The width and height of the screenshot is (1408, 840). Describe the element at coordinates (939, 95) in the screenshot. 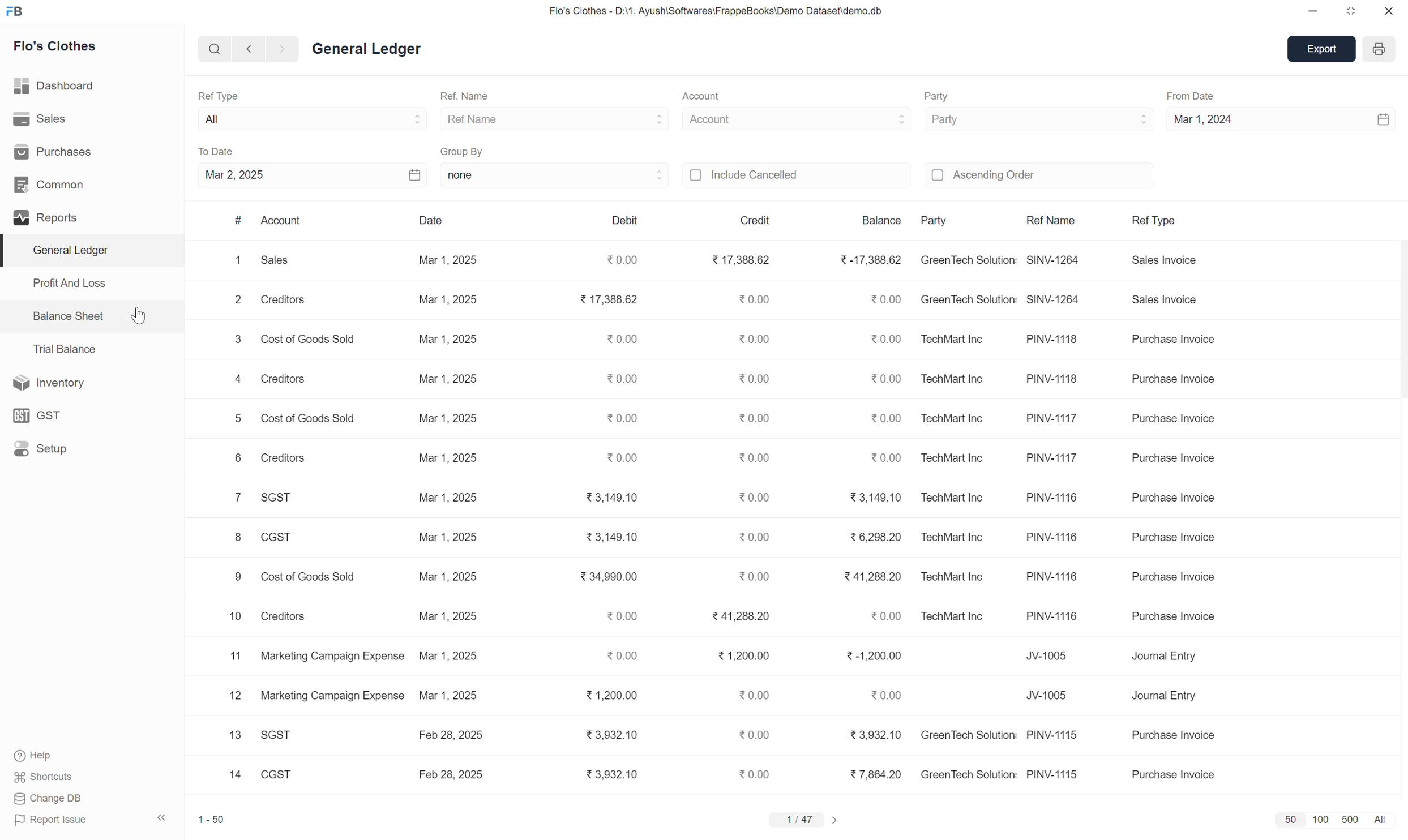

I see `Party` at that location.